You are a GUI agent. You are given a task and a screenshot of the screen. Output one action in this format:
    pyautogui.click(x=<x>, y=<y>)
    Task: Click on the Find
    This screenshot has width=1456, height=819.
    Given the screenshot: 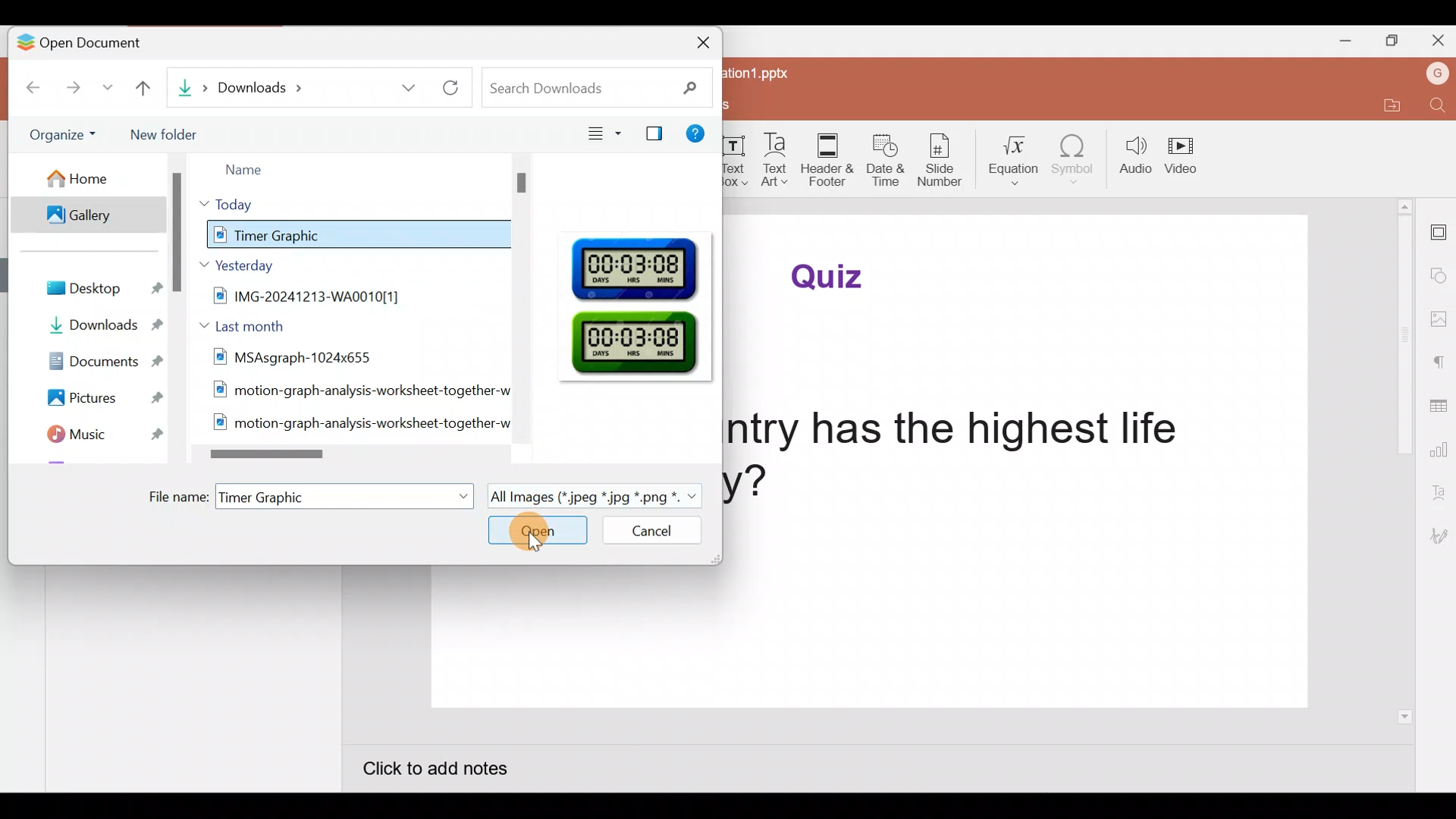 What is the action you would take?
    pyautogui.click(x=1435, y=108)
    